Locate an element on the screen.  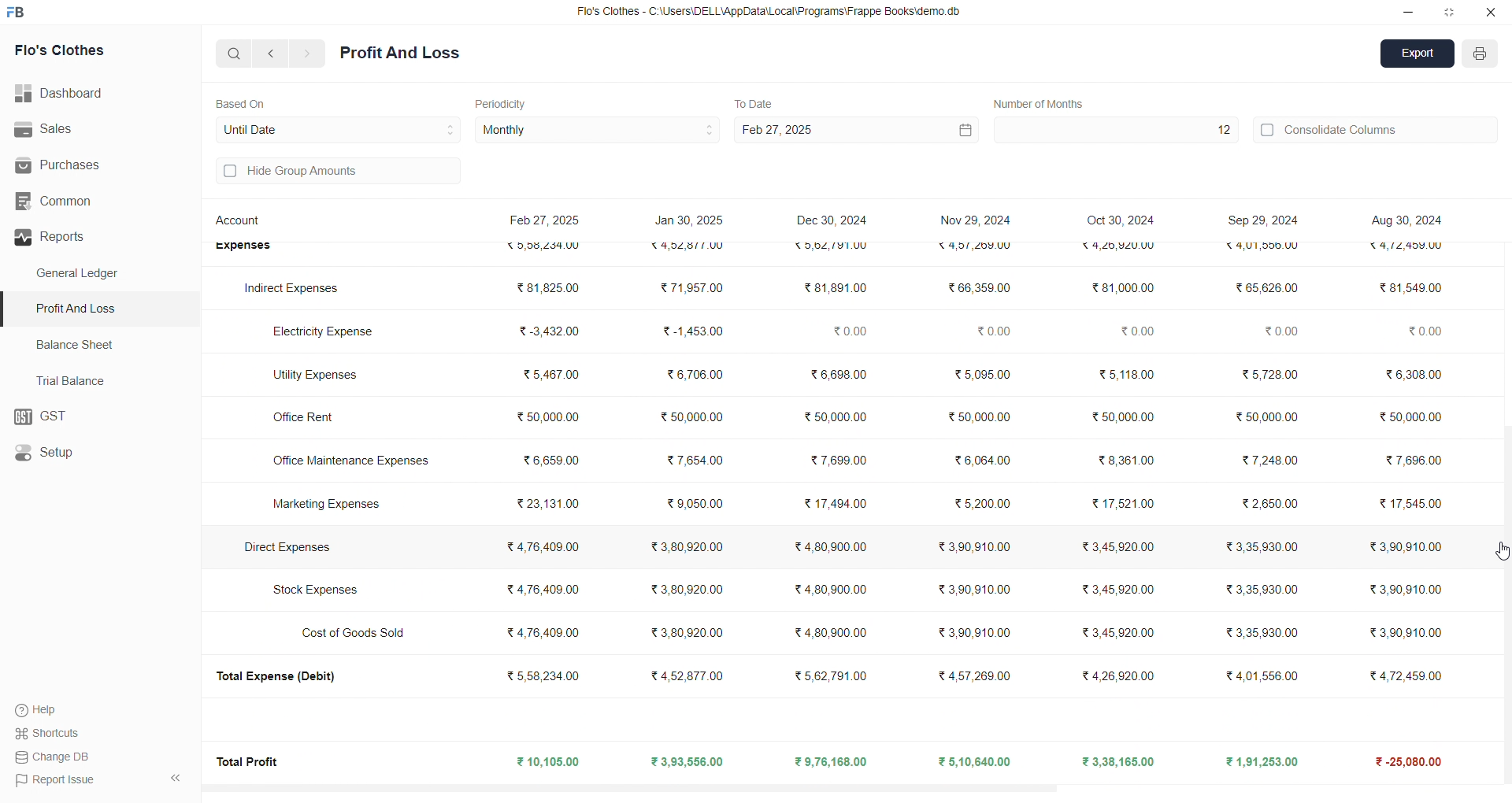
₹7,248.00 is located at coordinates (1275, 460).